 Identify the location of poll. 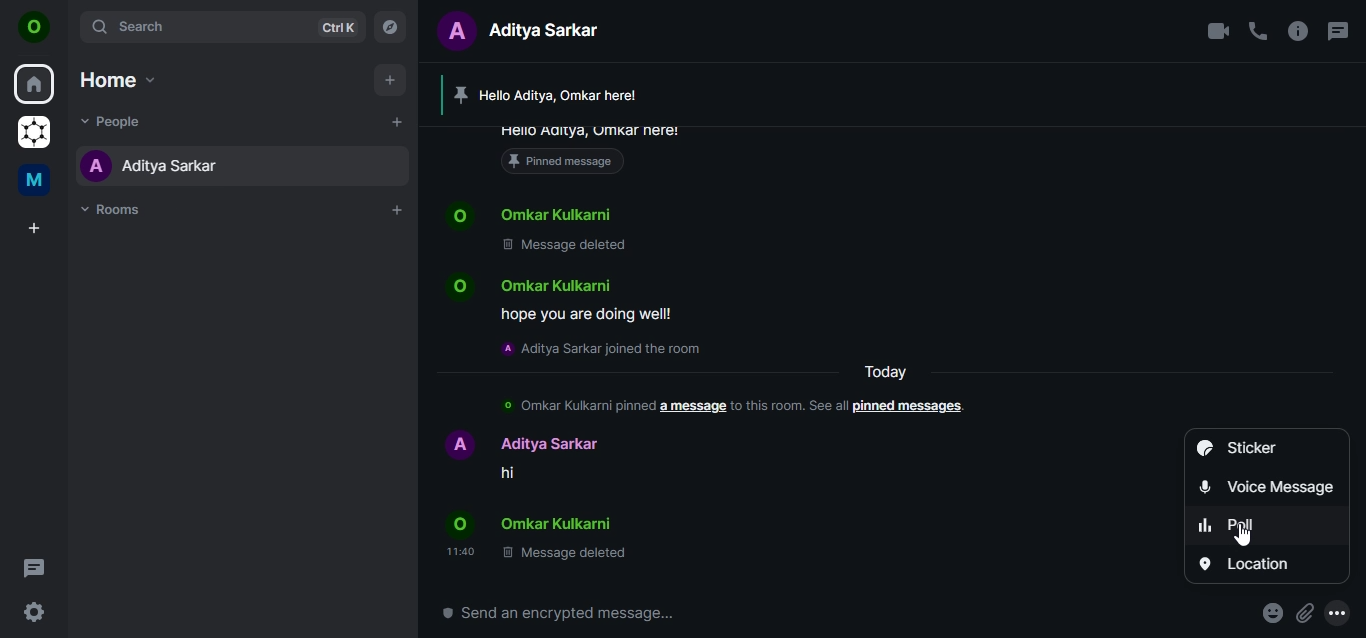
(1236, 522).